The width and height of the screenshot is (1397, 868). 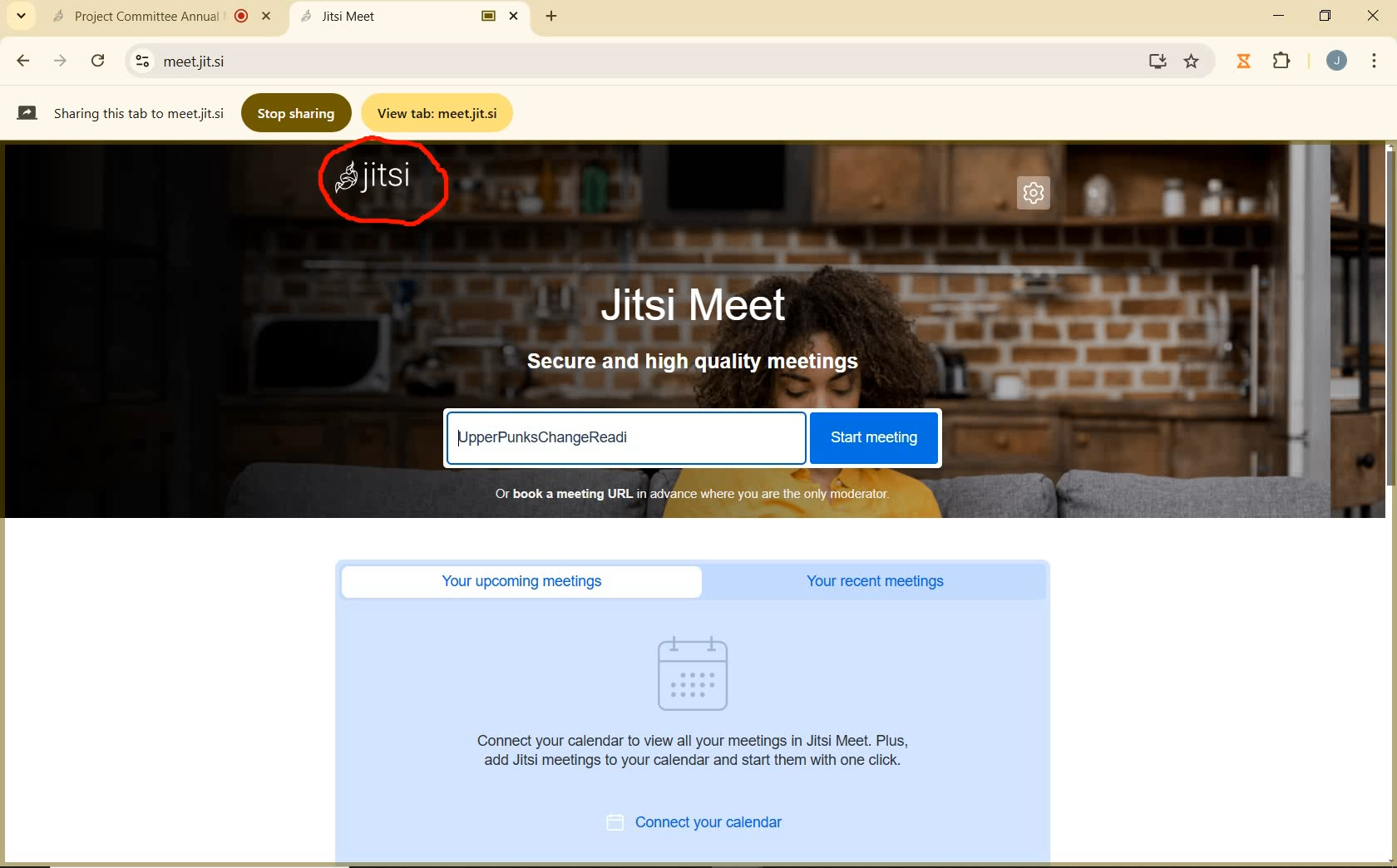 What do you see at coordinates (702, 673) in the screenshot?
I see `image` at bounding box center [702, 673].